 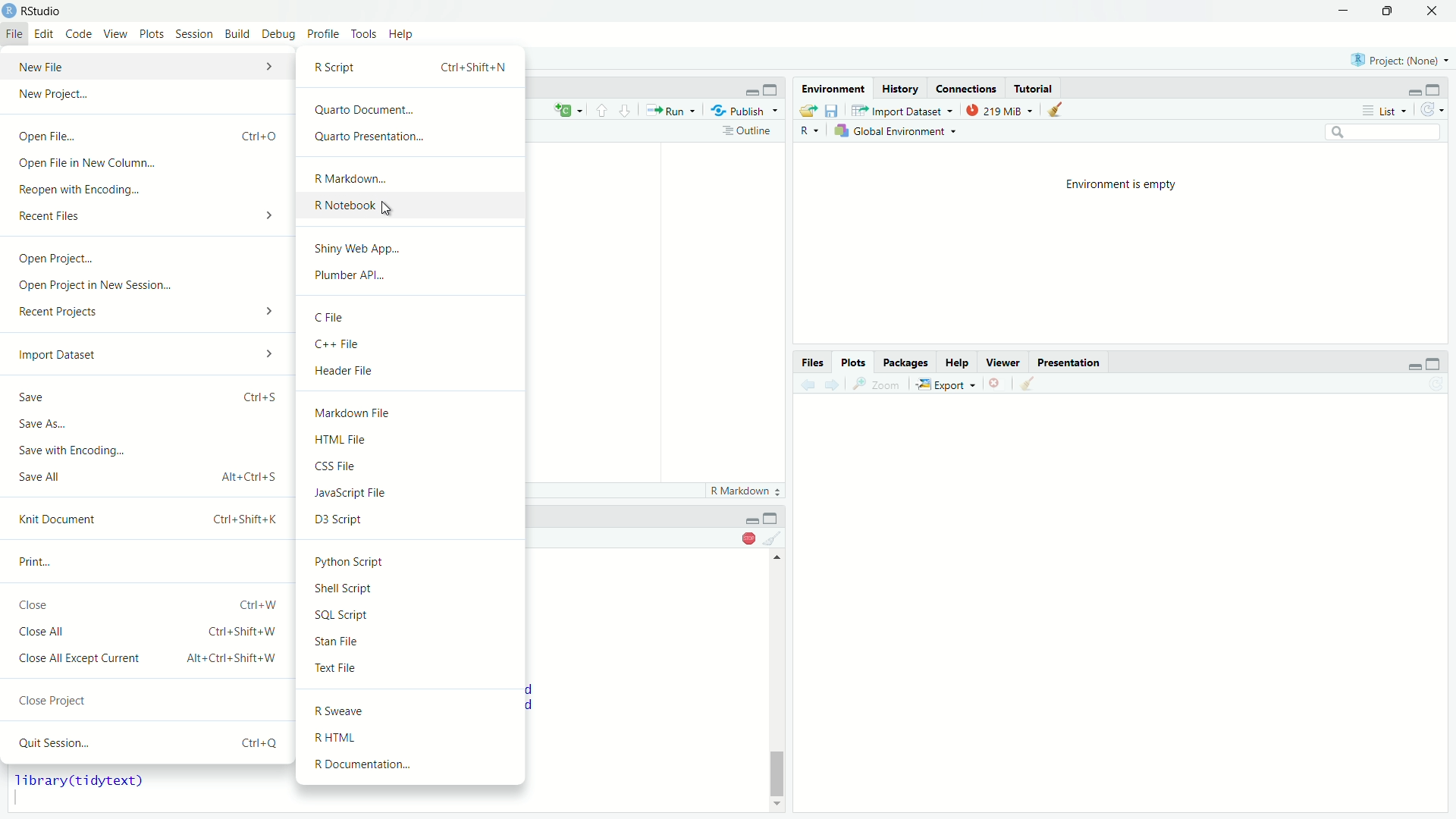 I want to click on Close, so click(x=1430, y=11).